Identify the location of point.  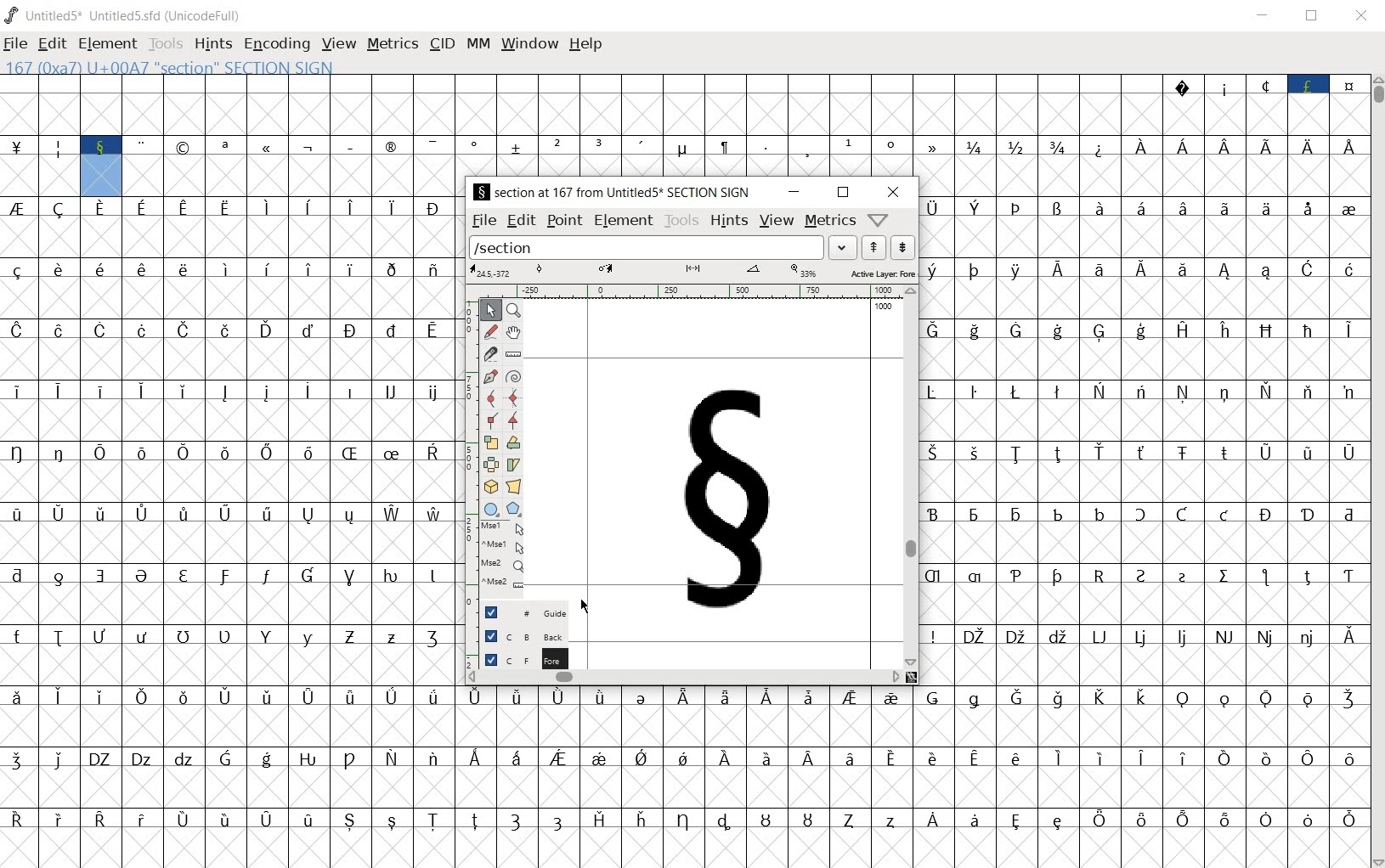
(563, 220).